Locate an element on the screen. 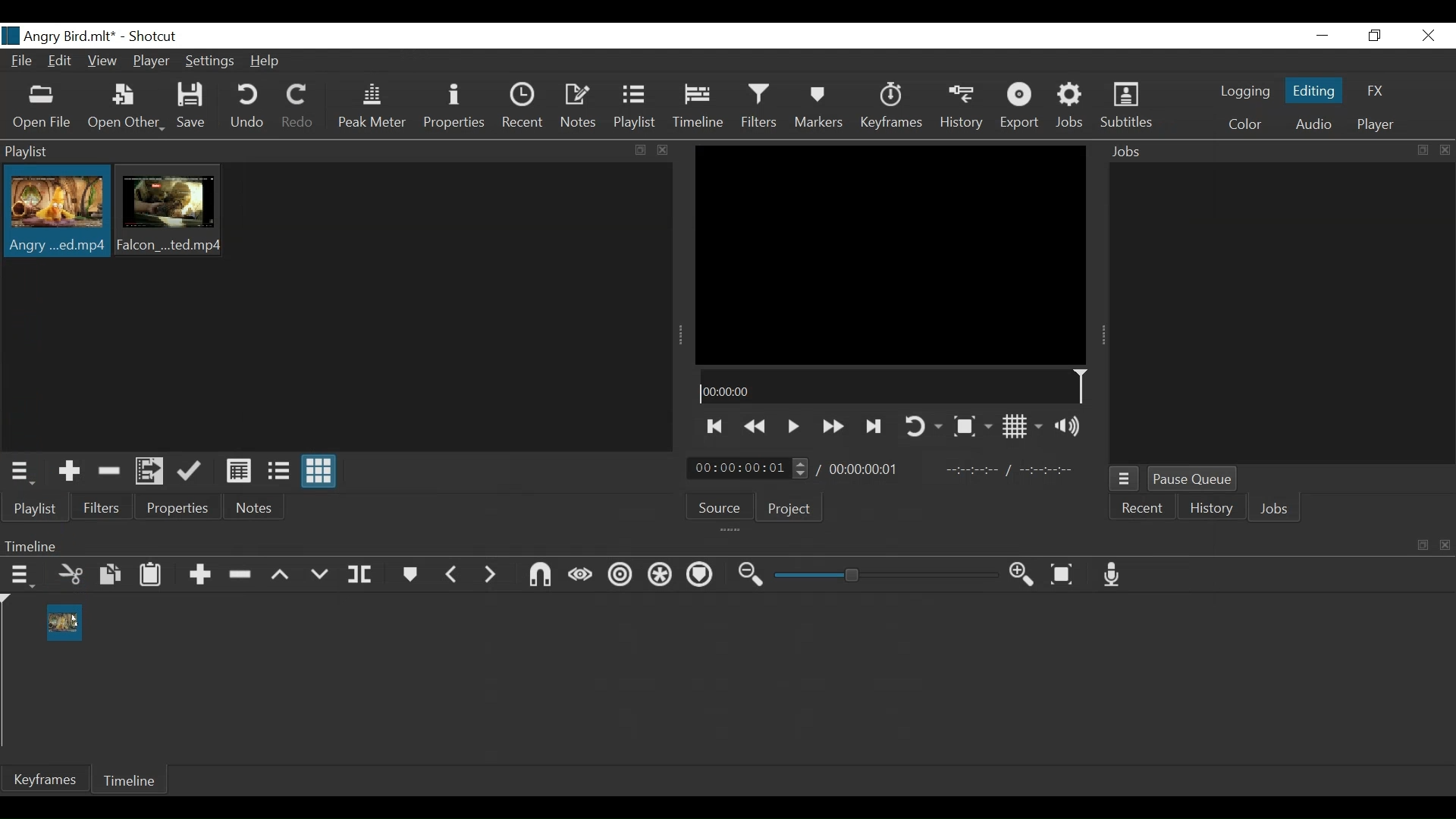 This screenshot has height=819, width=1456. Jobs is located at coordinates (1278, 152).